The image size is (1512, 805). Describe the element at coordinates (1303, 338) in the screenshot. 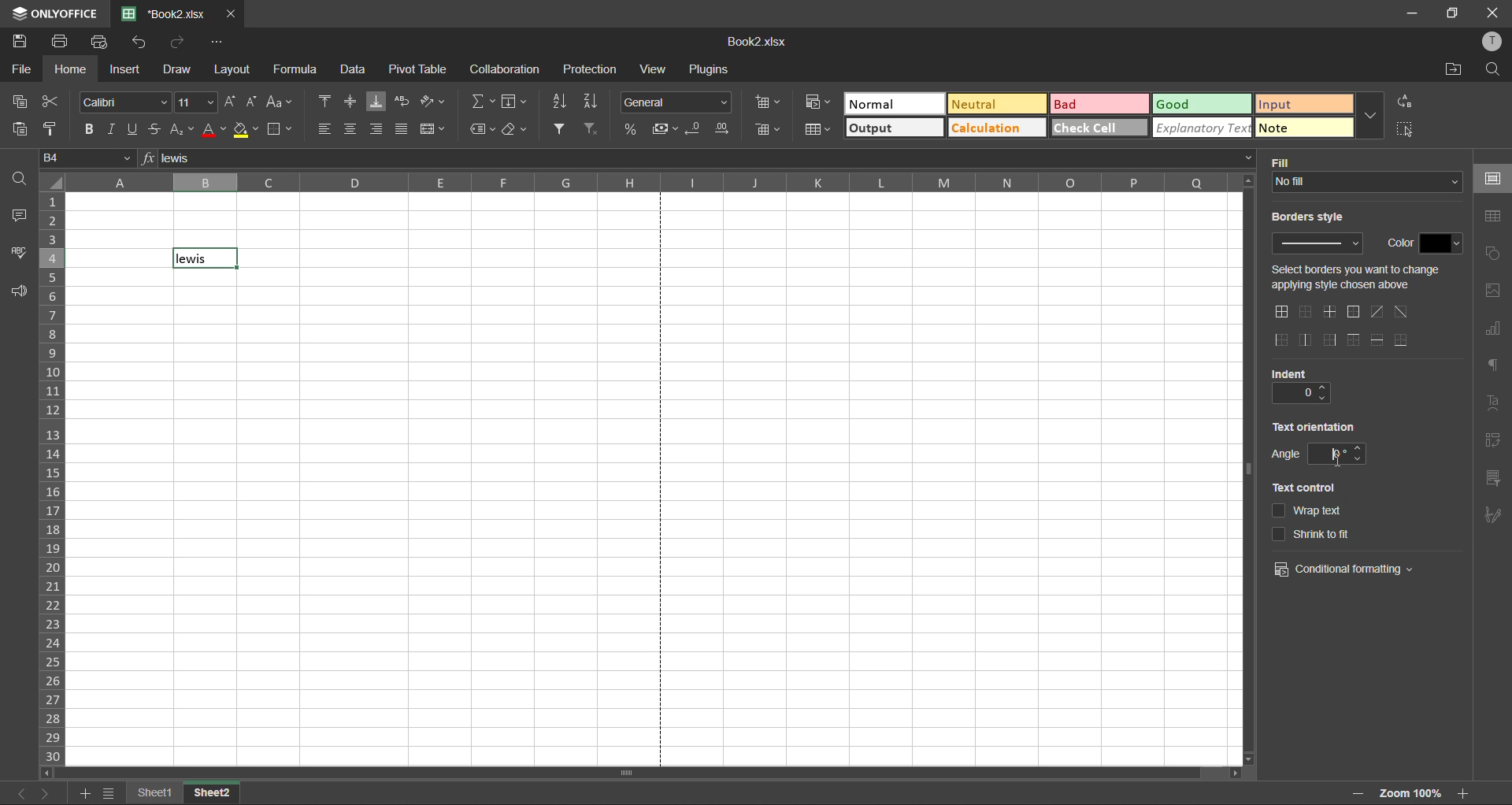

I see `only middle border` at that location.